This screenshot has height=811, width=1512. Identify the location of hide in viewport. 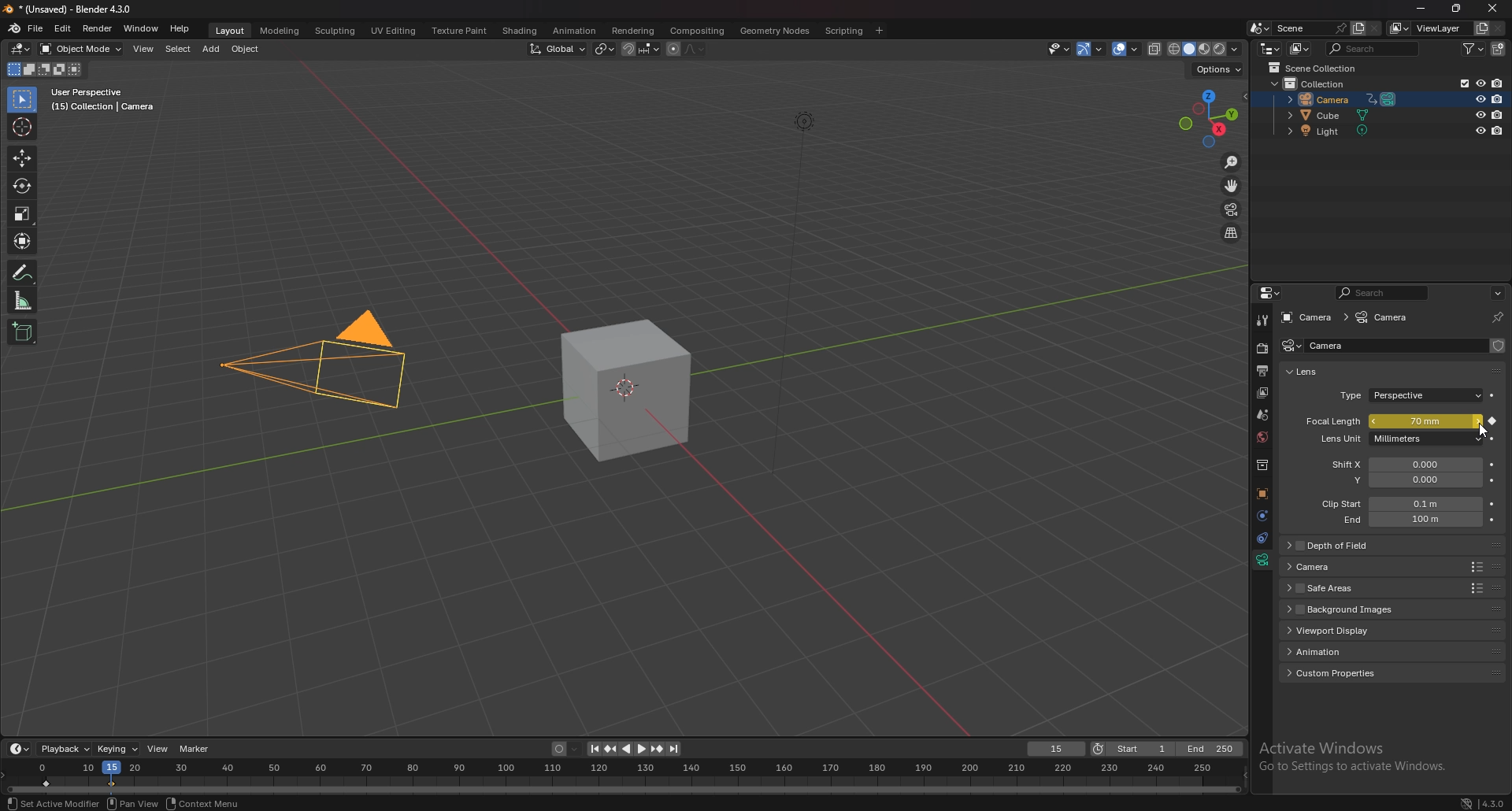
(1480, 114).